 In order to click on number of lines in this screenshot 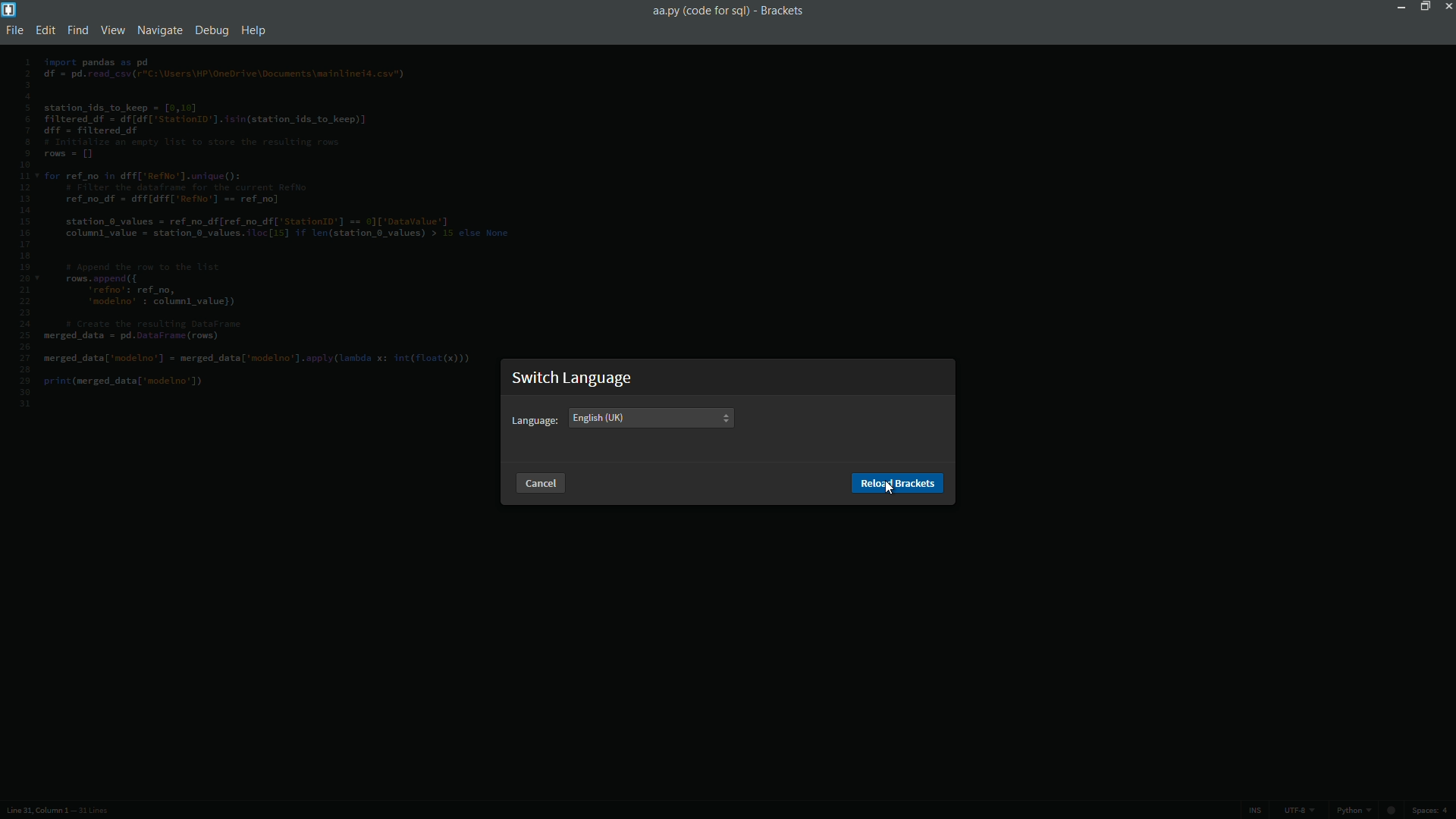, I will do `click(93, 812)`.